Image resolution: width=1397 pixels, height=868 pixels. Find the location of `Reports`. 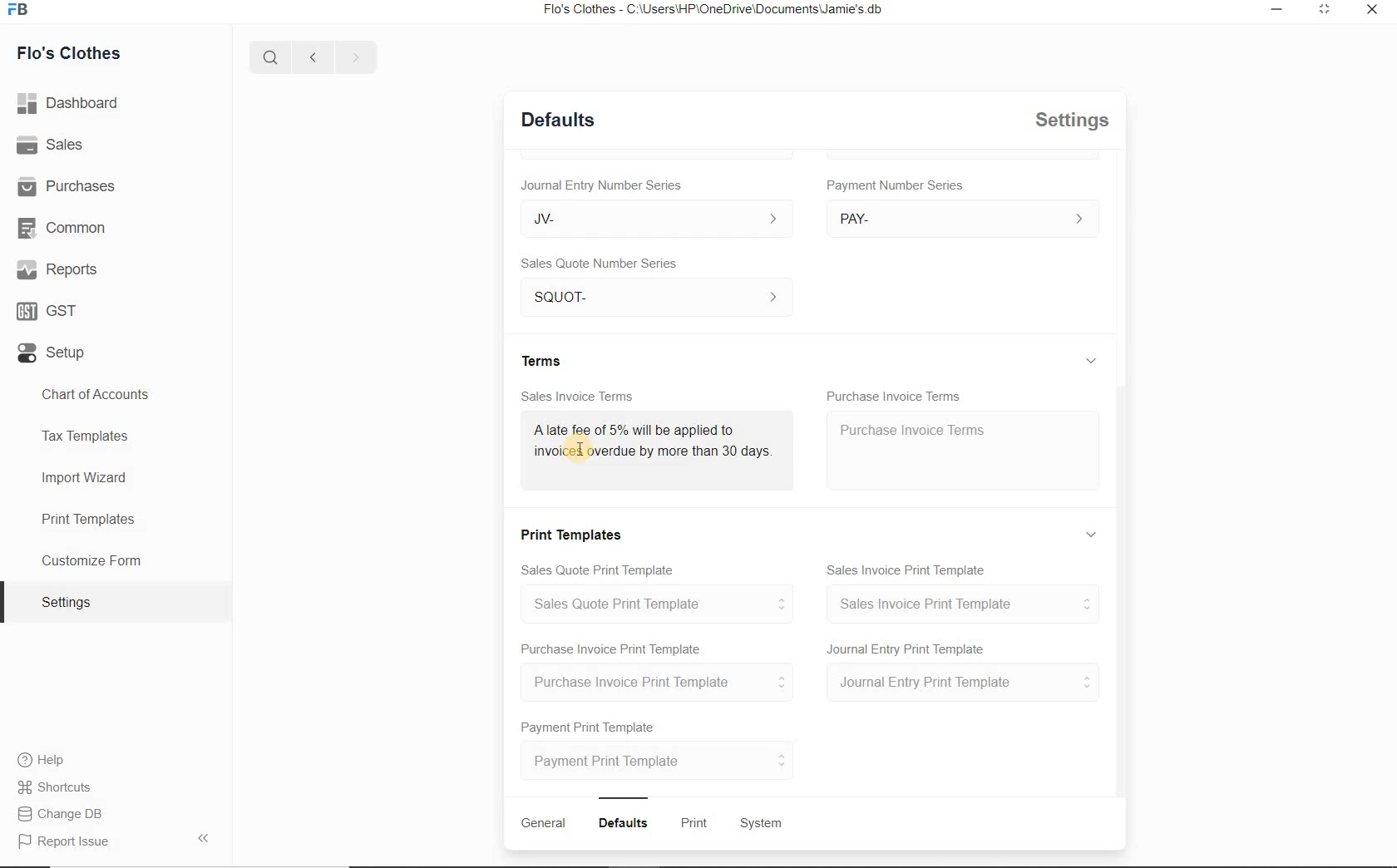

Reports is located at coordinates (57, 271).